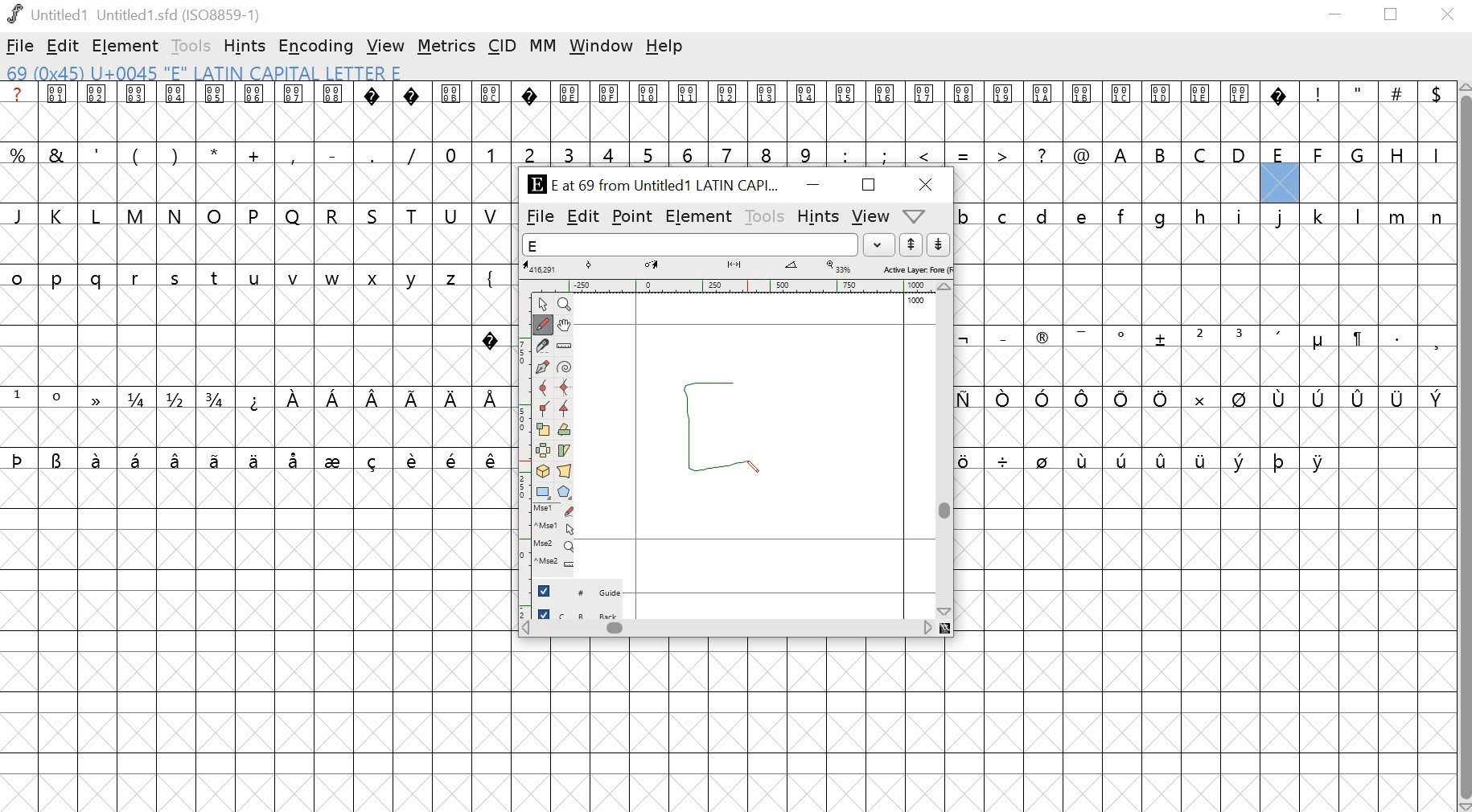 This screenshot has width=1472, height=812. What do you see at coordinates (544, 430) in the screenshot?
I see `Scale` at bounding box center [544, 430].